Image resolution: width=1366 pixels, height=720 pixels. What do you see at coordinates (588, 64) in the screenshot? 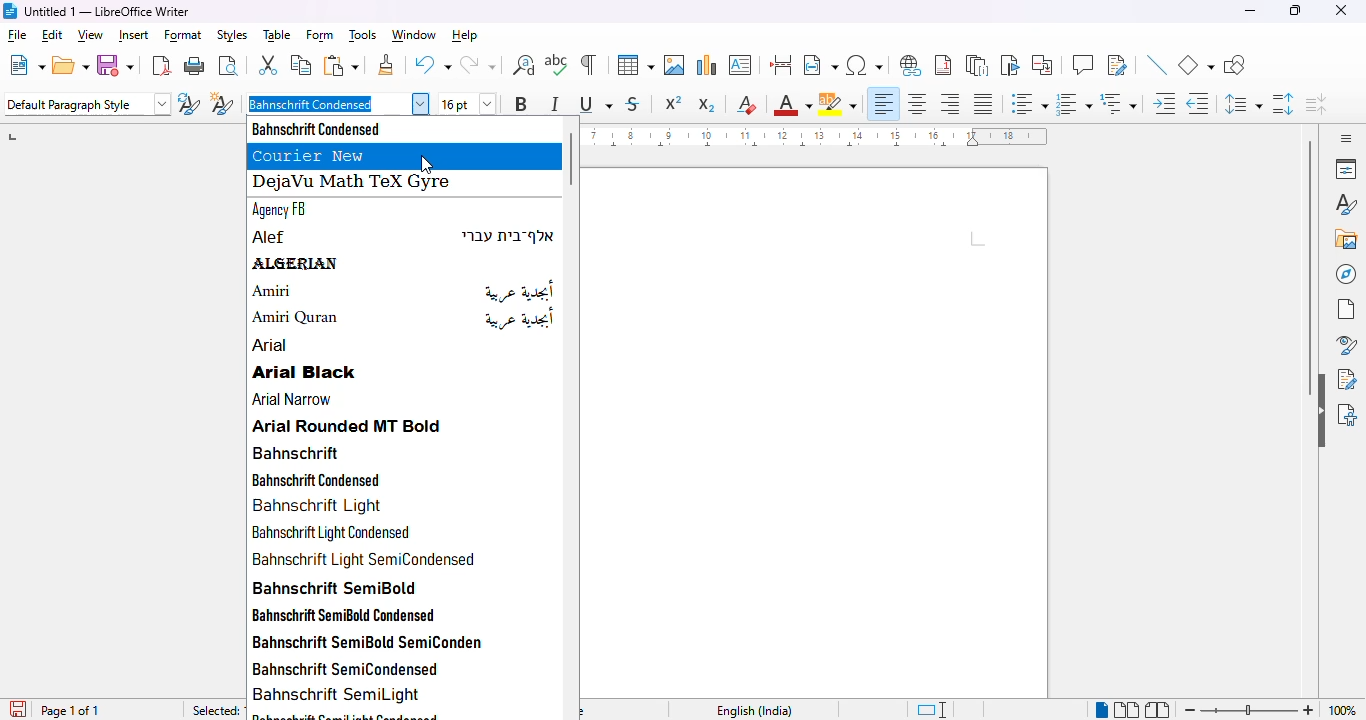
I see `toggle formatting marks` at bounding box center [588, 64].